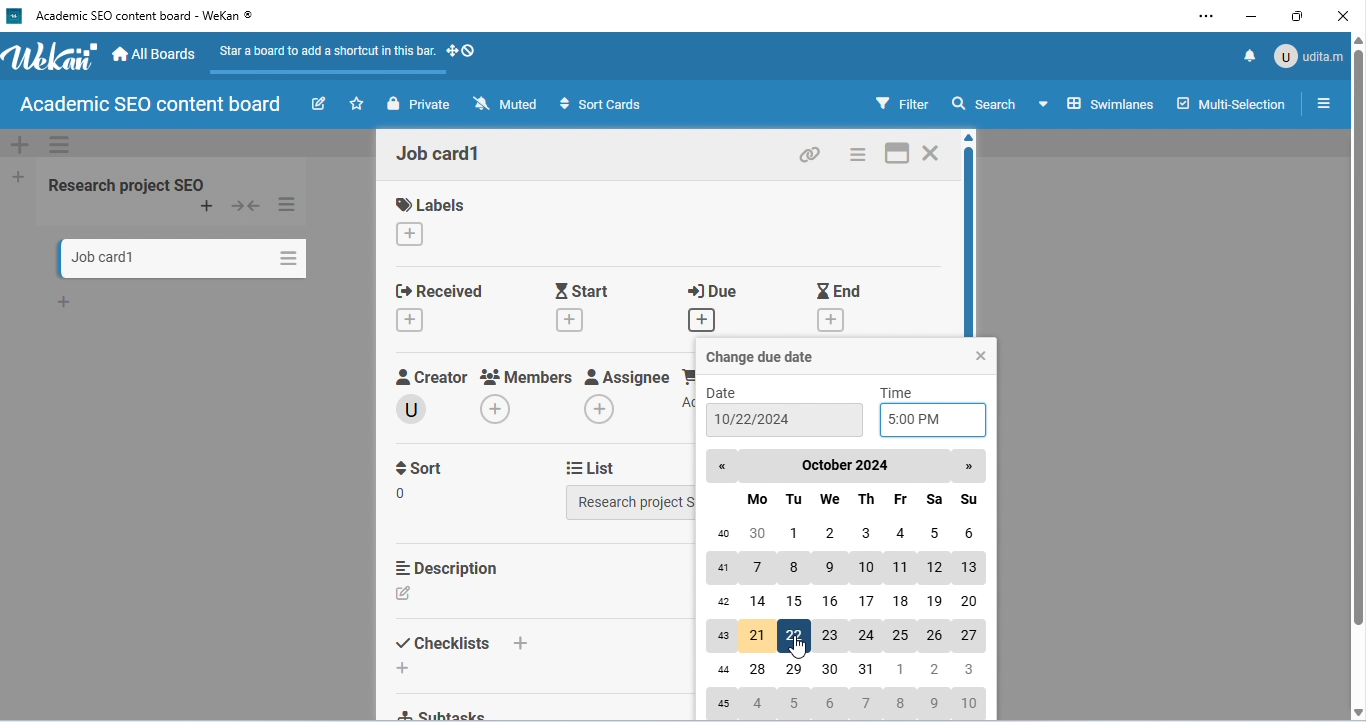 The width and height of the screenshot is (1366, 722). Describe the element at coordinates (1357, 713) in the screenshot. I see `move down` at that location.